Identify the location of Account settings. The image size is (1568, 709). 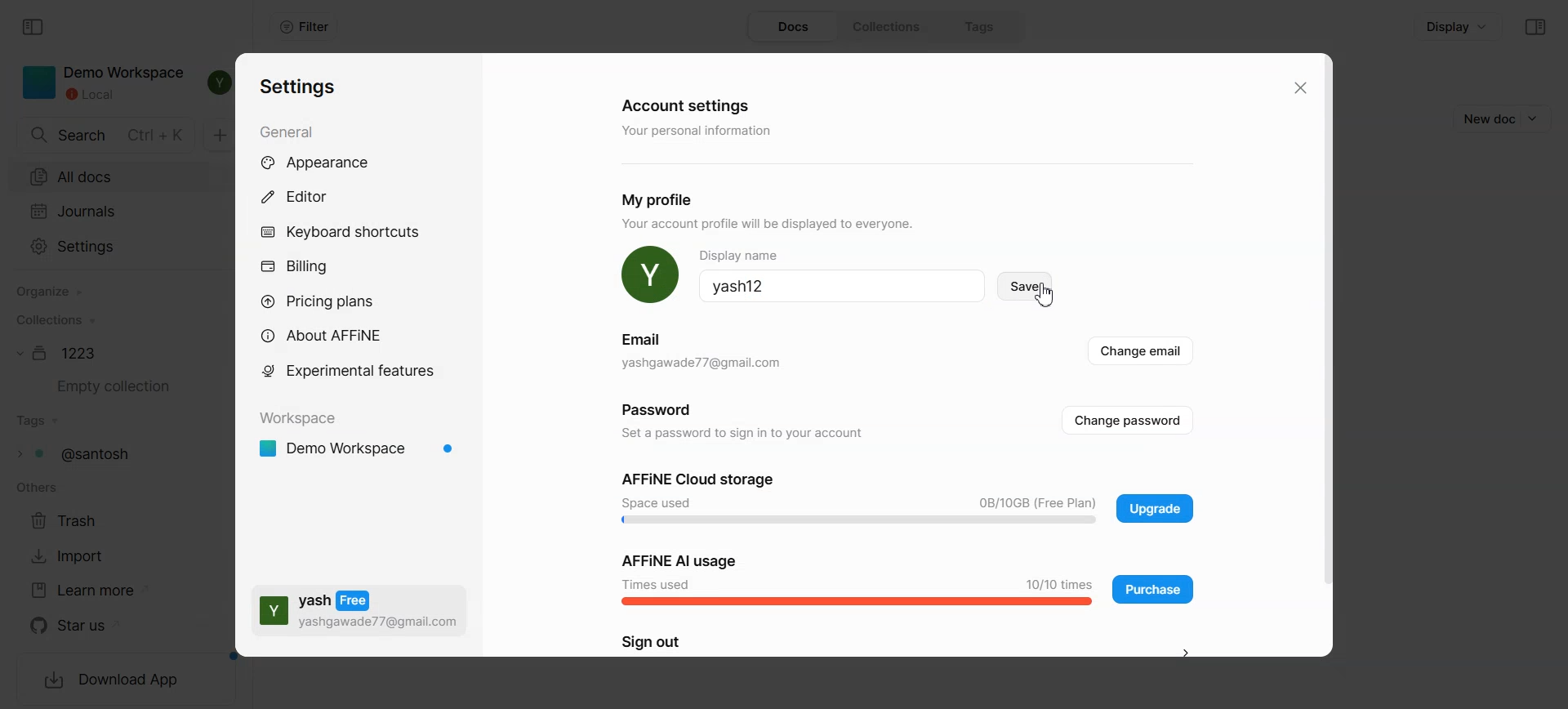
(688, 104).